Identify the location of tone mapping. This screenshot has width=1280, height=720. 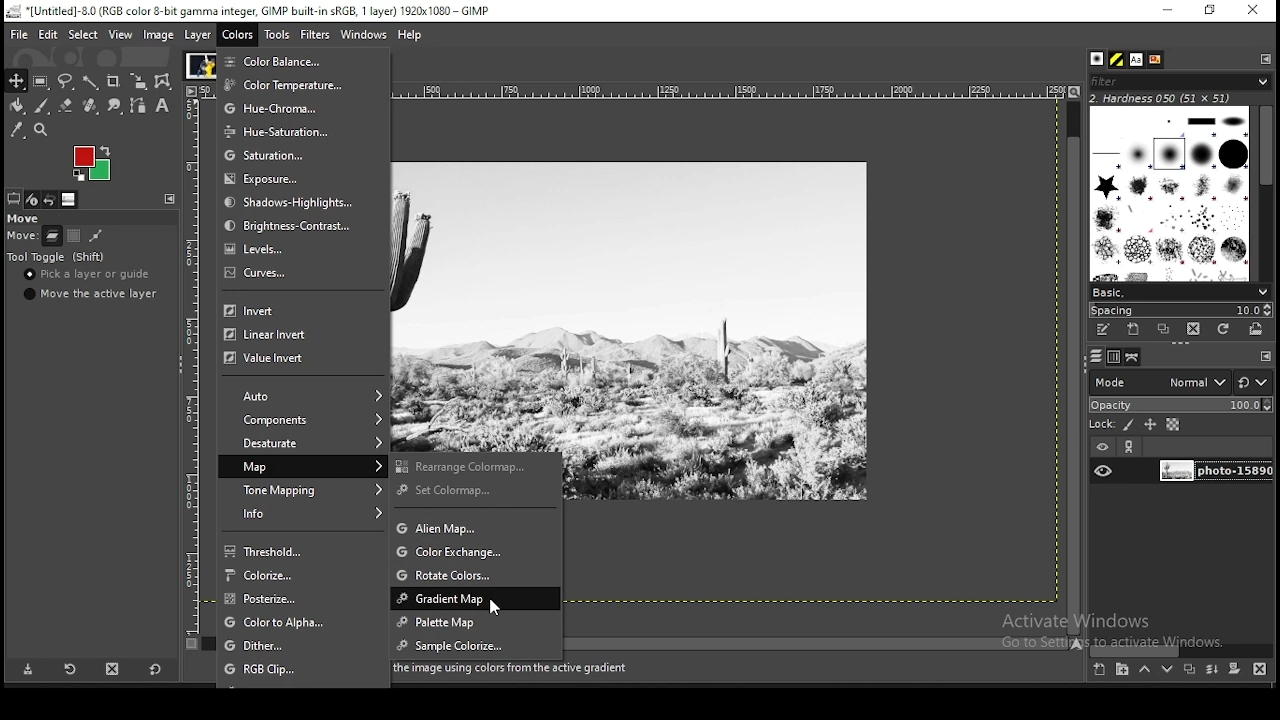
(305, 489).